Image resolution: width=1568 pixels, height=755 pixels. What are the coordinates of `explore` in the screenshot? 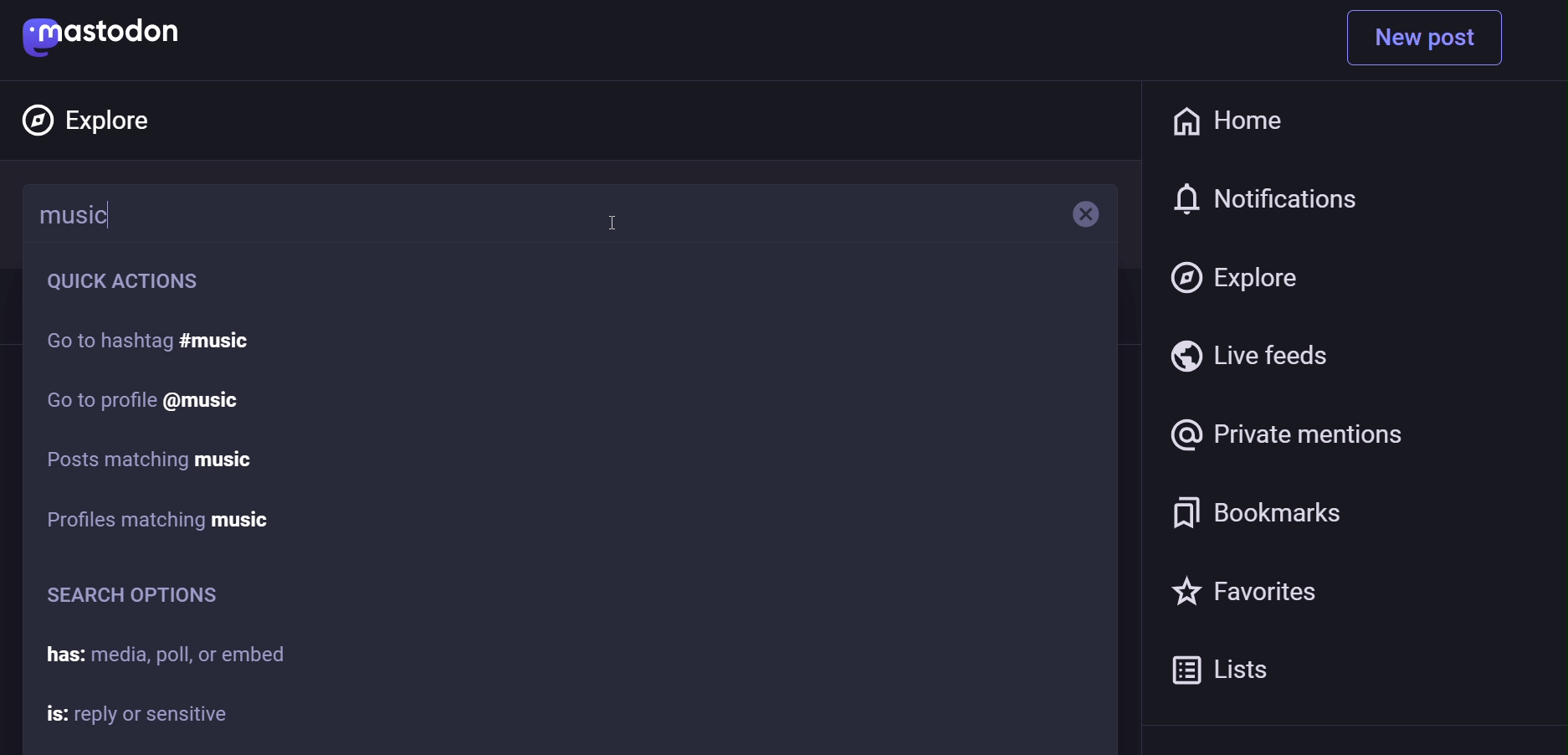 It's located at (1237, 275).